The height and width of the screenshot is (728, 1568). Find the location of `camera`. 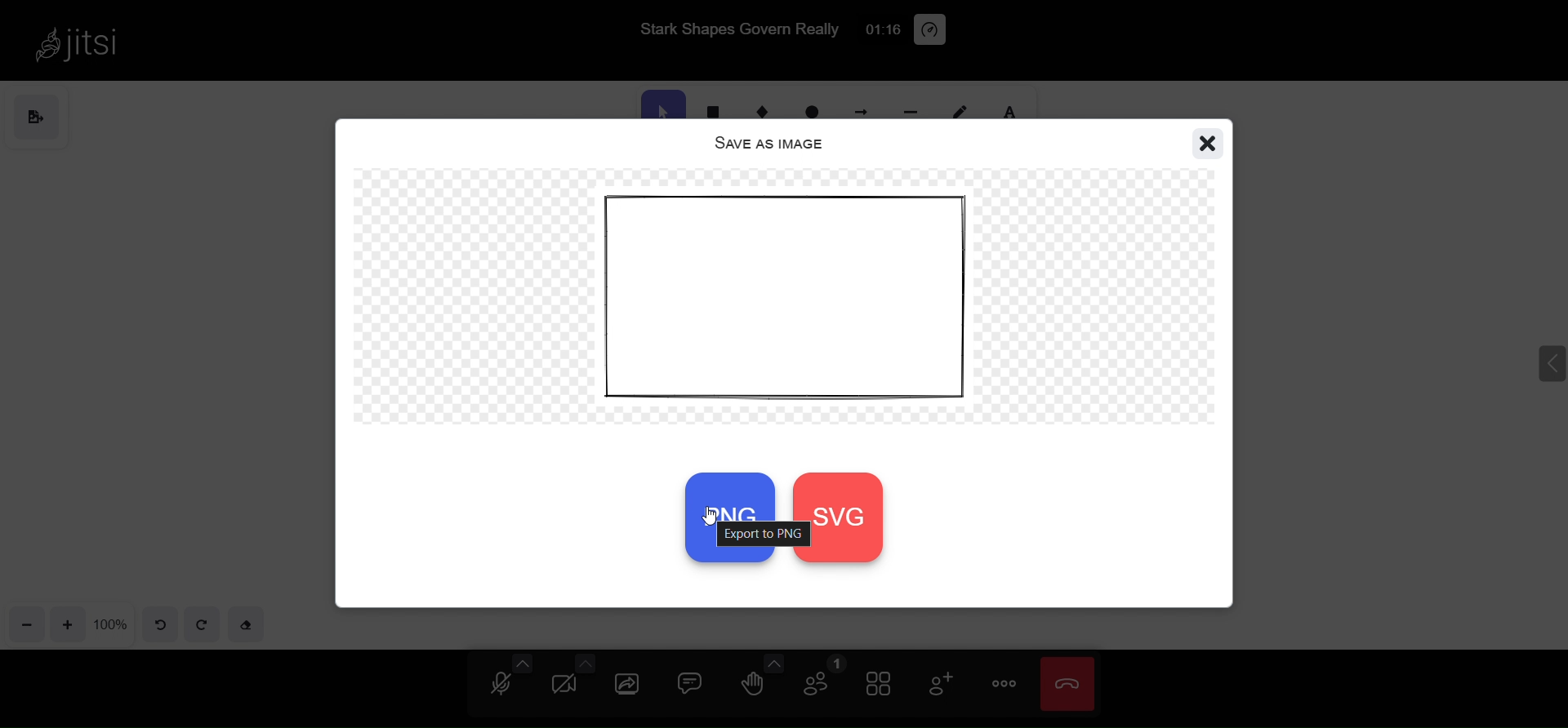

camera is located at coordinates (564, 686).